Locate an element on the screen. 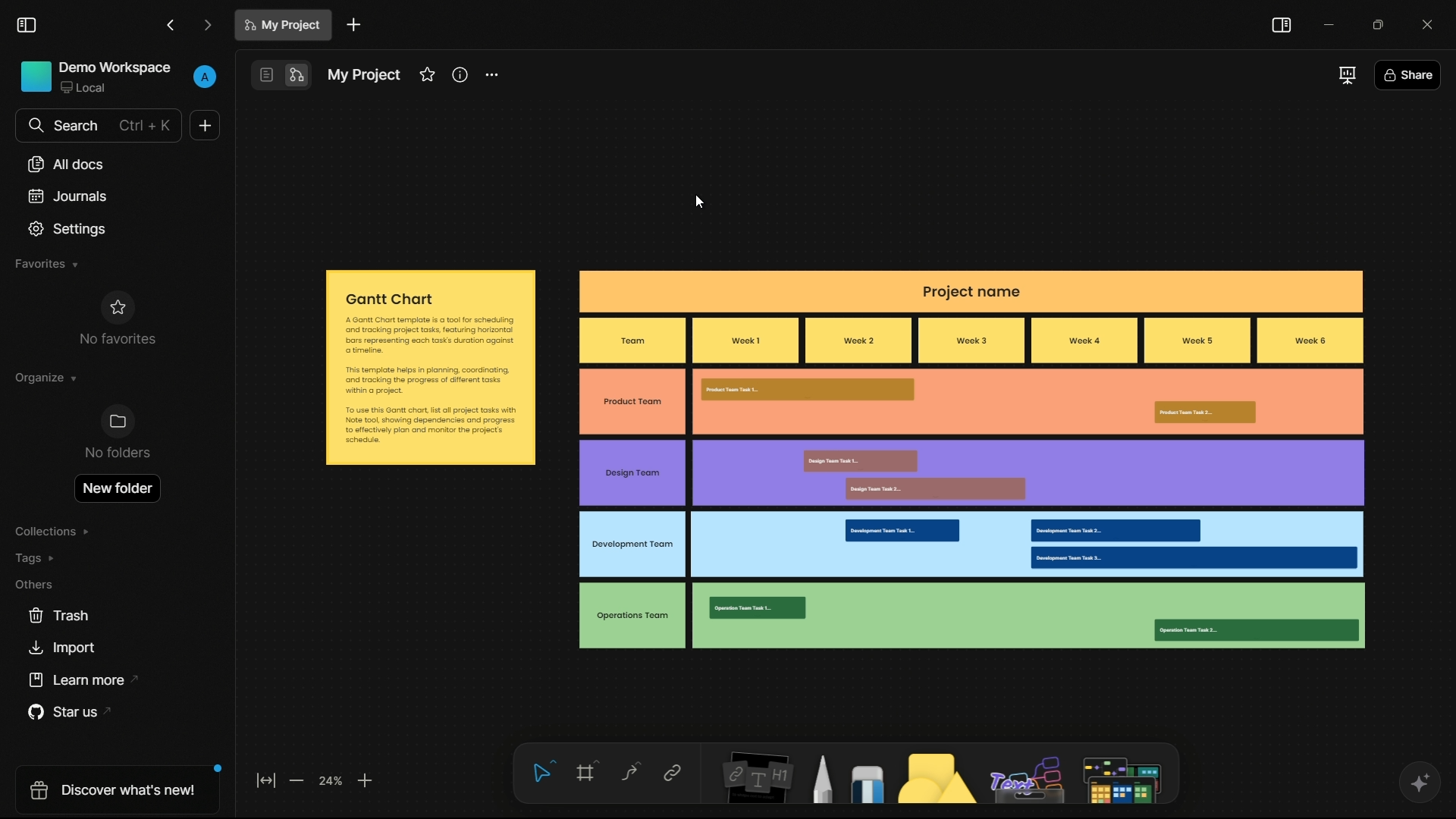  page mode is located at coordinates (265, 74).